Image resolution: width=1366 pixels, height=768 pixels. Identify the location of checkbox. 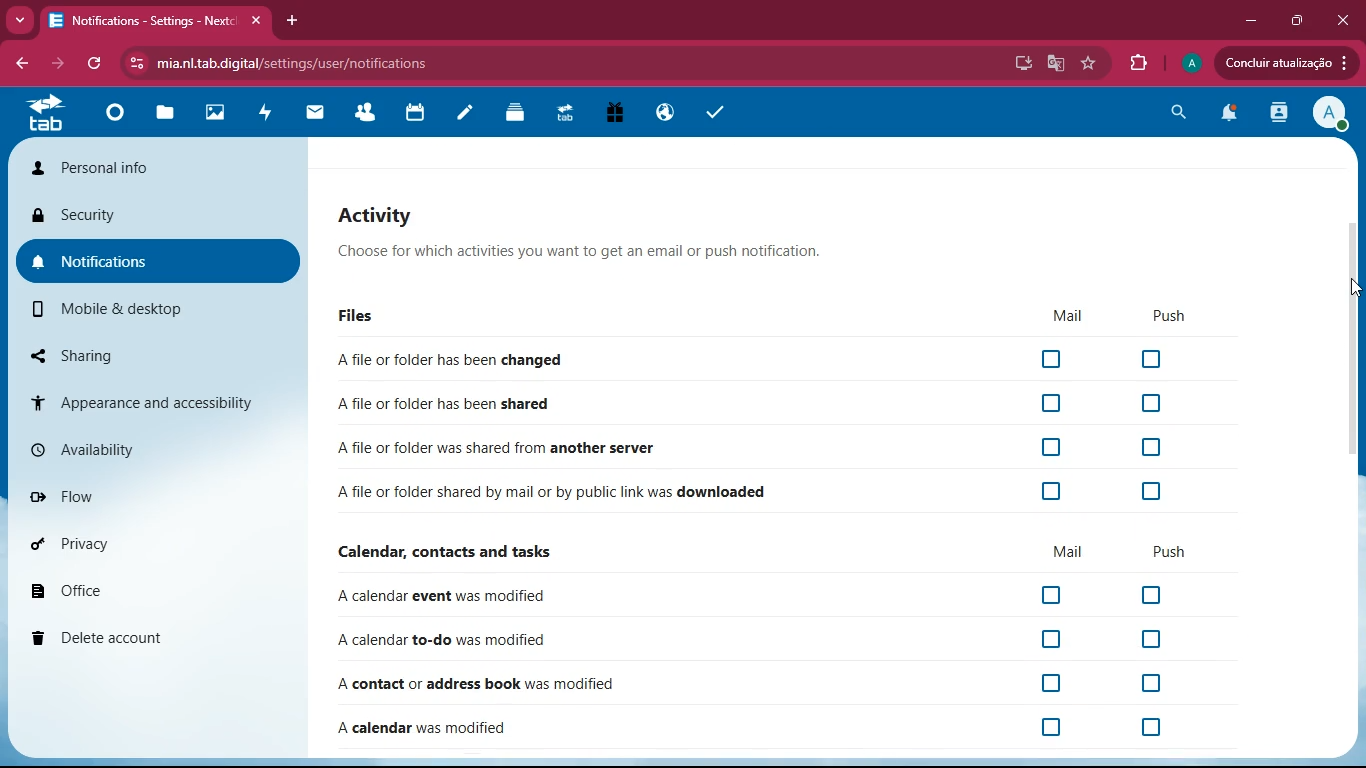
(1151, 449).